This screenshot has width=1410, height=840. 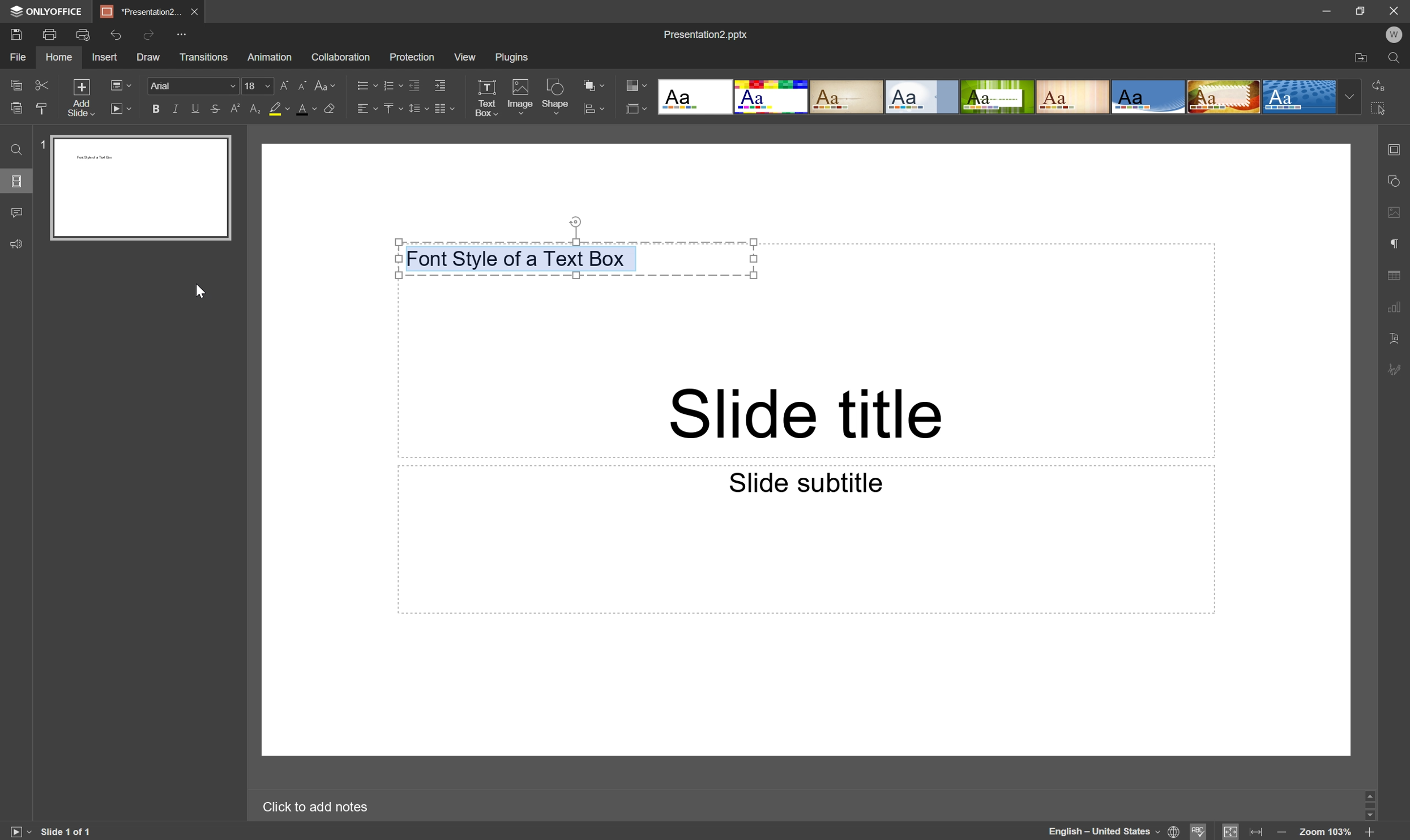 I want to click on Shape settings, so click(x=1397, y=182).